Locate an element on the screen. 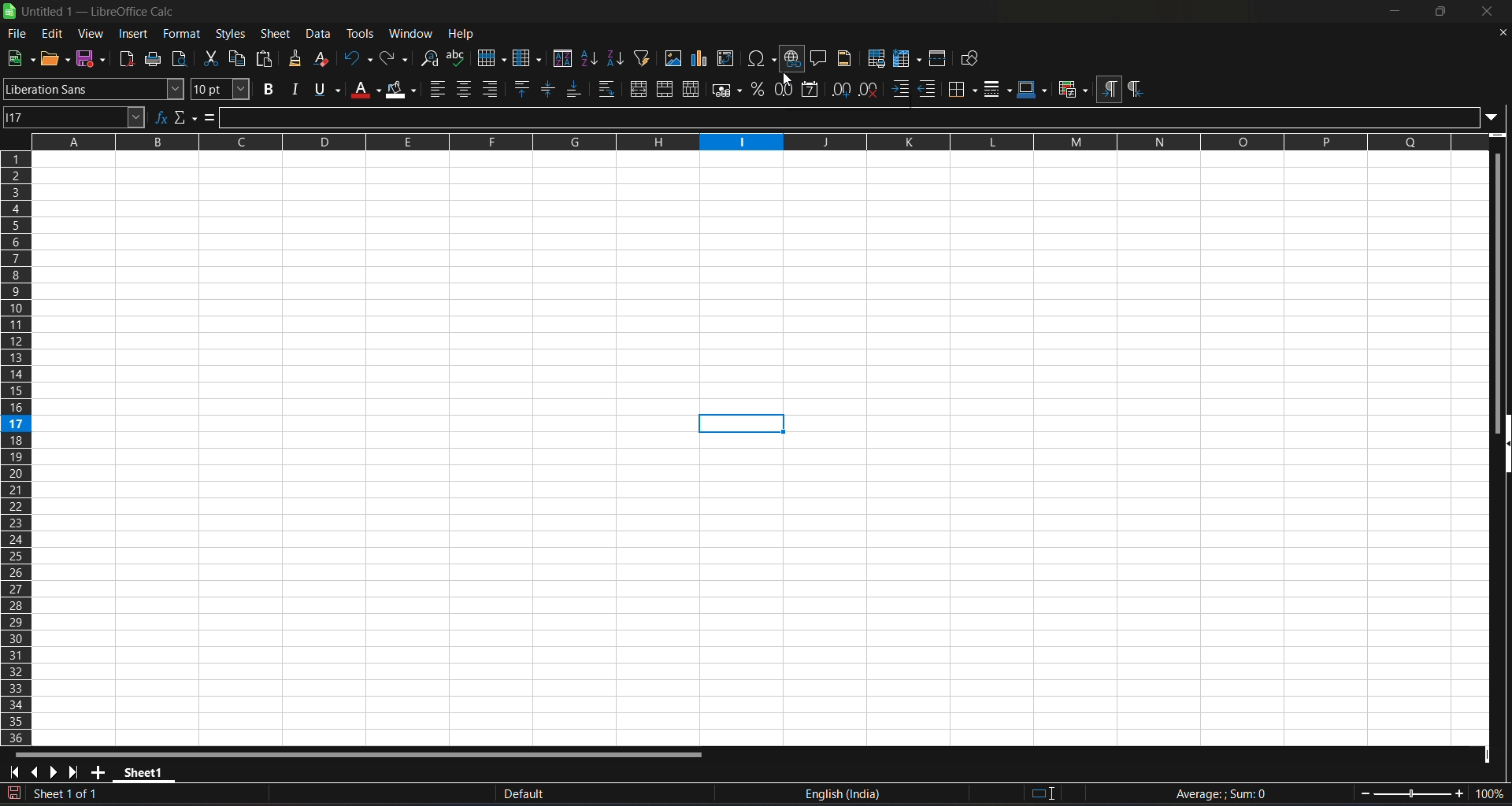 The width and height of the screenshot is (1512, 806). clone formating is located at coordinates (295, 59).